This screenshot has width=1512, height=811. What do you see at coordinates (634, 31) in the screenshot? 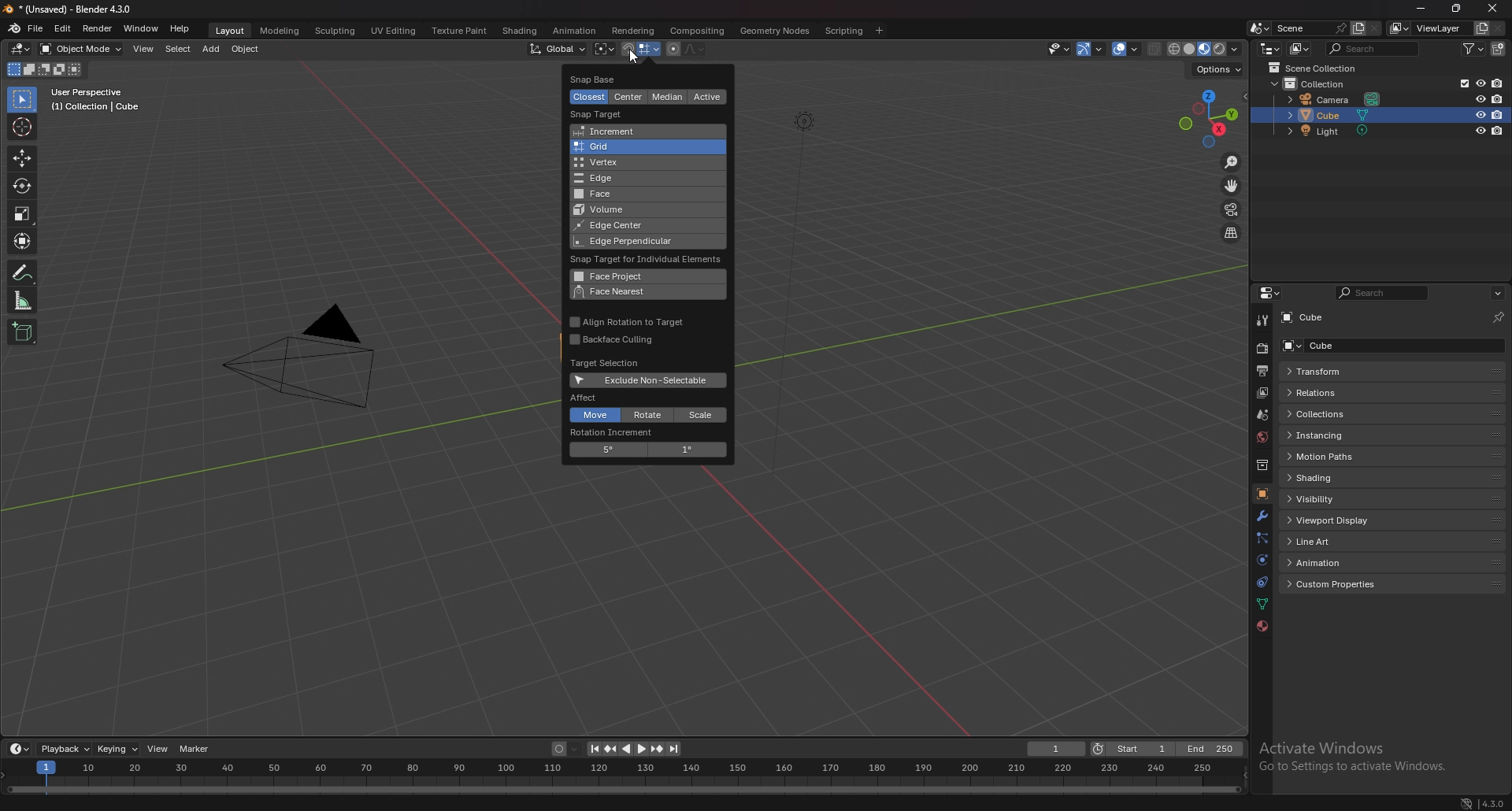
I see `rendering` at bounding box center [634, 31].